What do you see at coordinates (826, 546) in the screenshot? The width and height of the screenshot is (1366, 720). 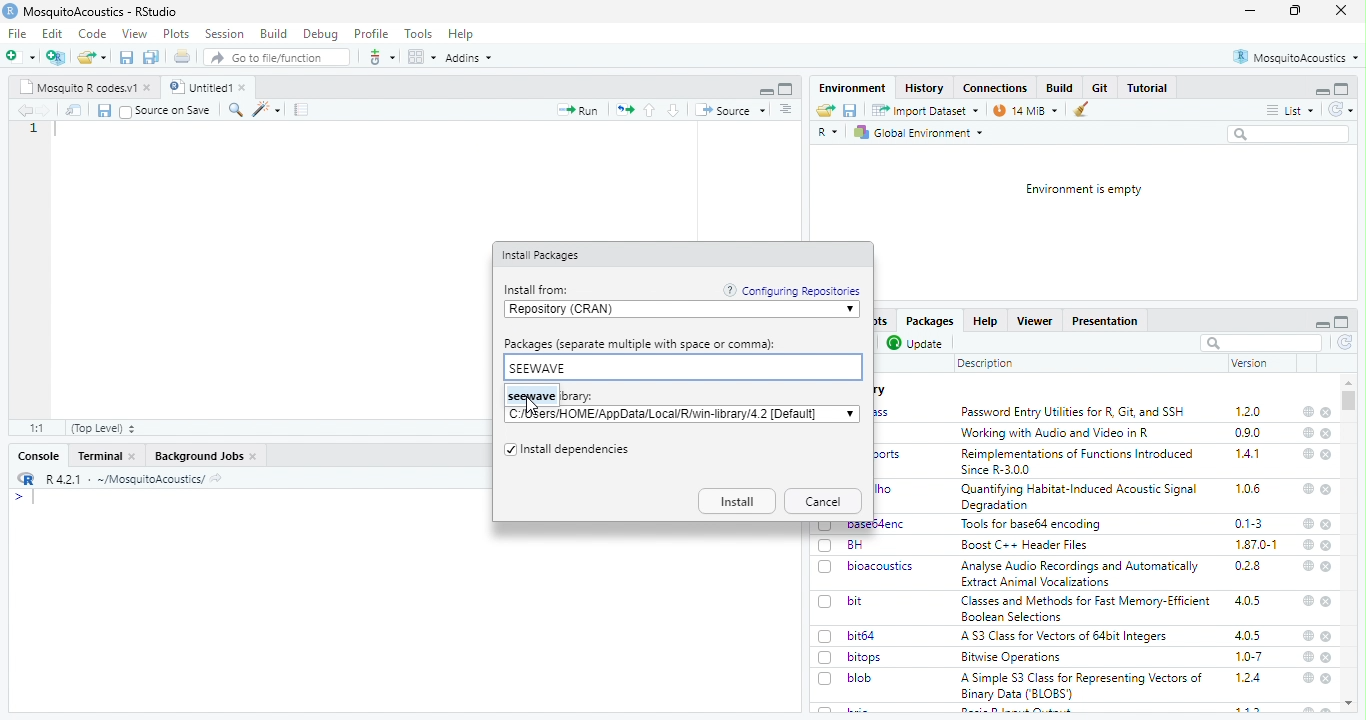 I see `checkbox` at bounding box center [826, 546].